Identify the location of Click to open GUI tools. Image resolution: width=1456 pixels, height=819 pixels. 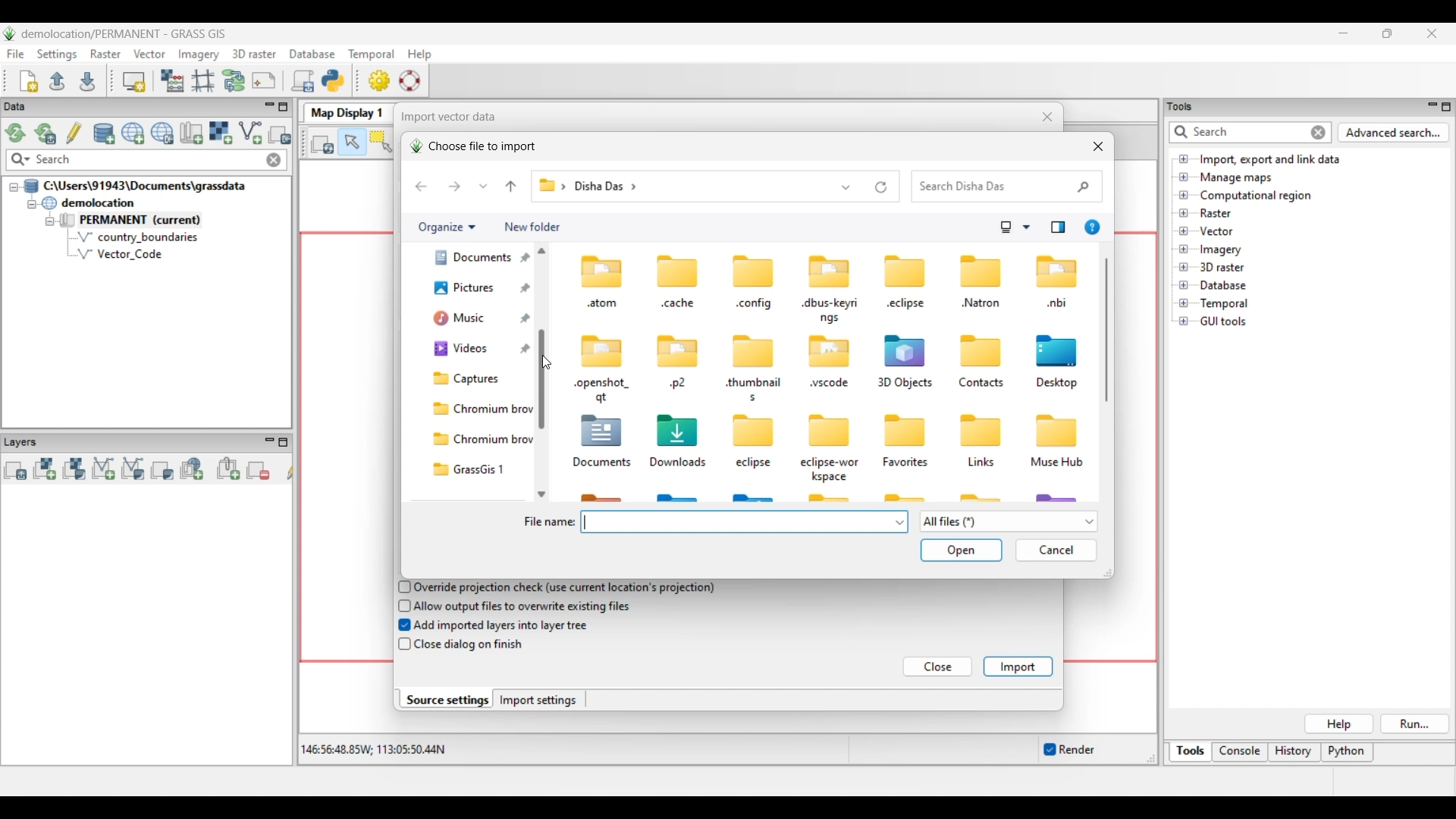
(1184, 322).